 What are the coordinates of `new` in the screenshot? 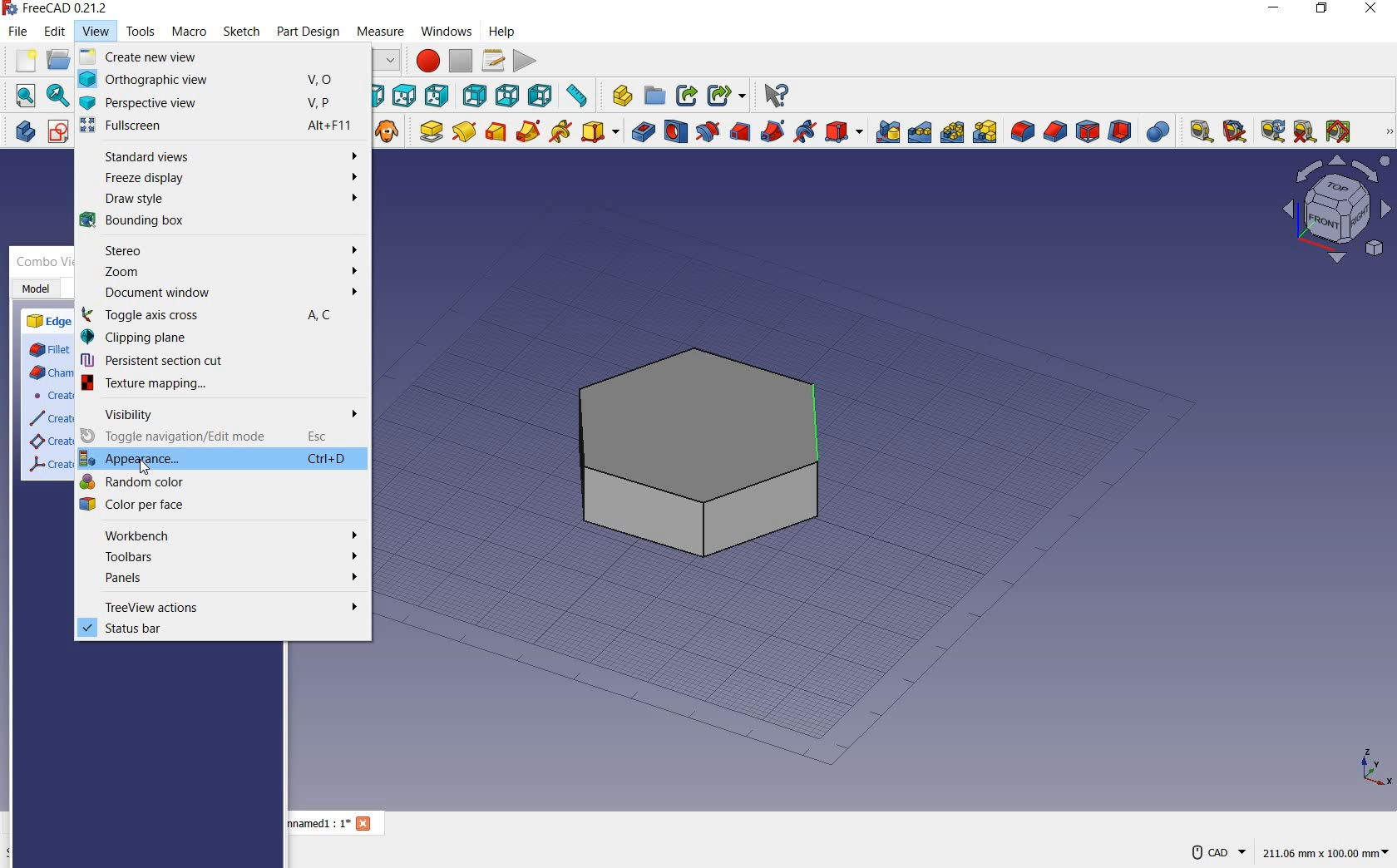 It's located at (24, 61).